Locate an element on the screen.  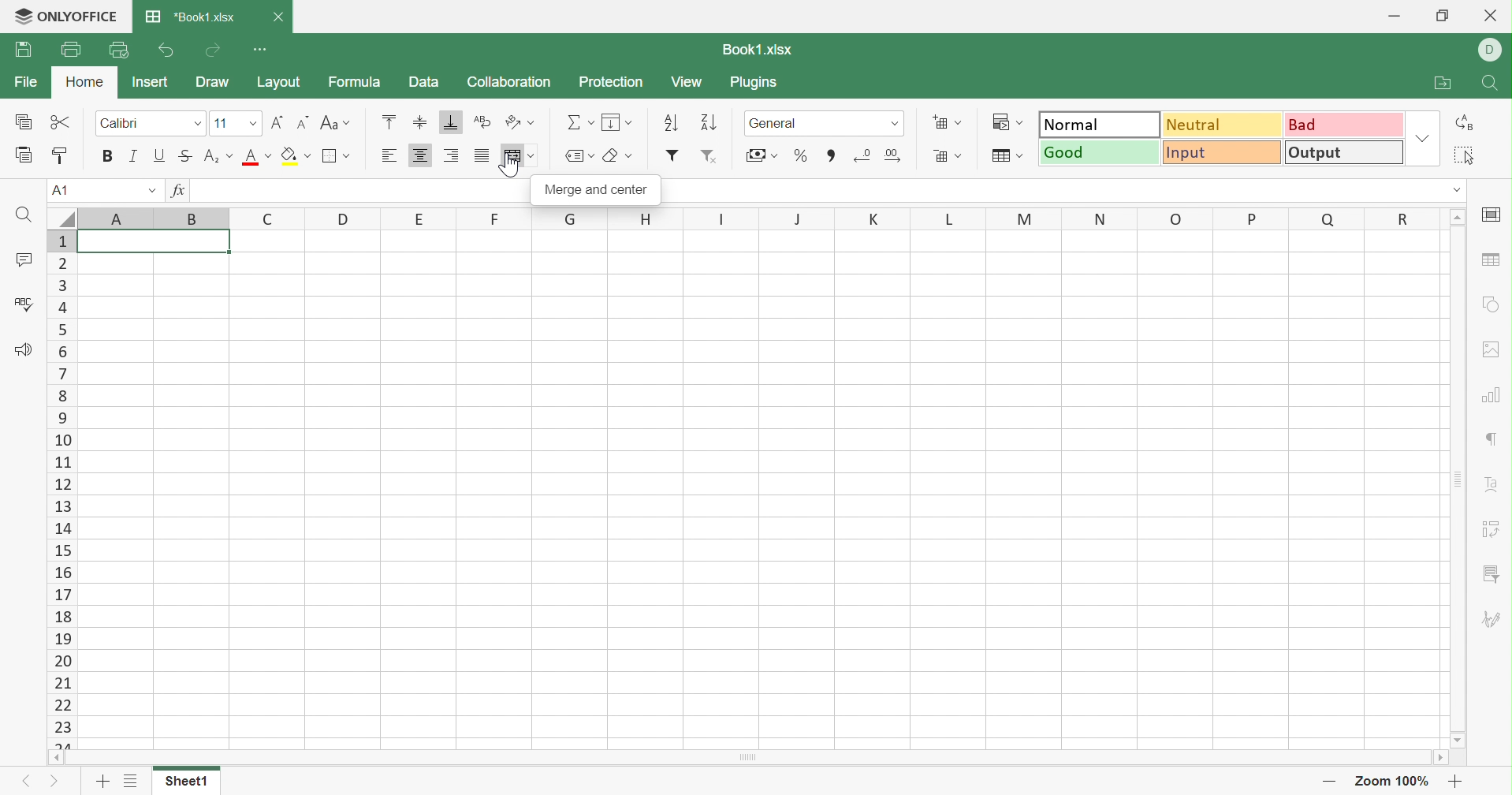
Paragraph settings is located at coordinates (1494, 439).